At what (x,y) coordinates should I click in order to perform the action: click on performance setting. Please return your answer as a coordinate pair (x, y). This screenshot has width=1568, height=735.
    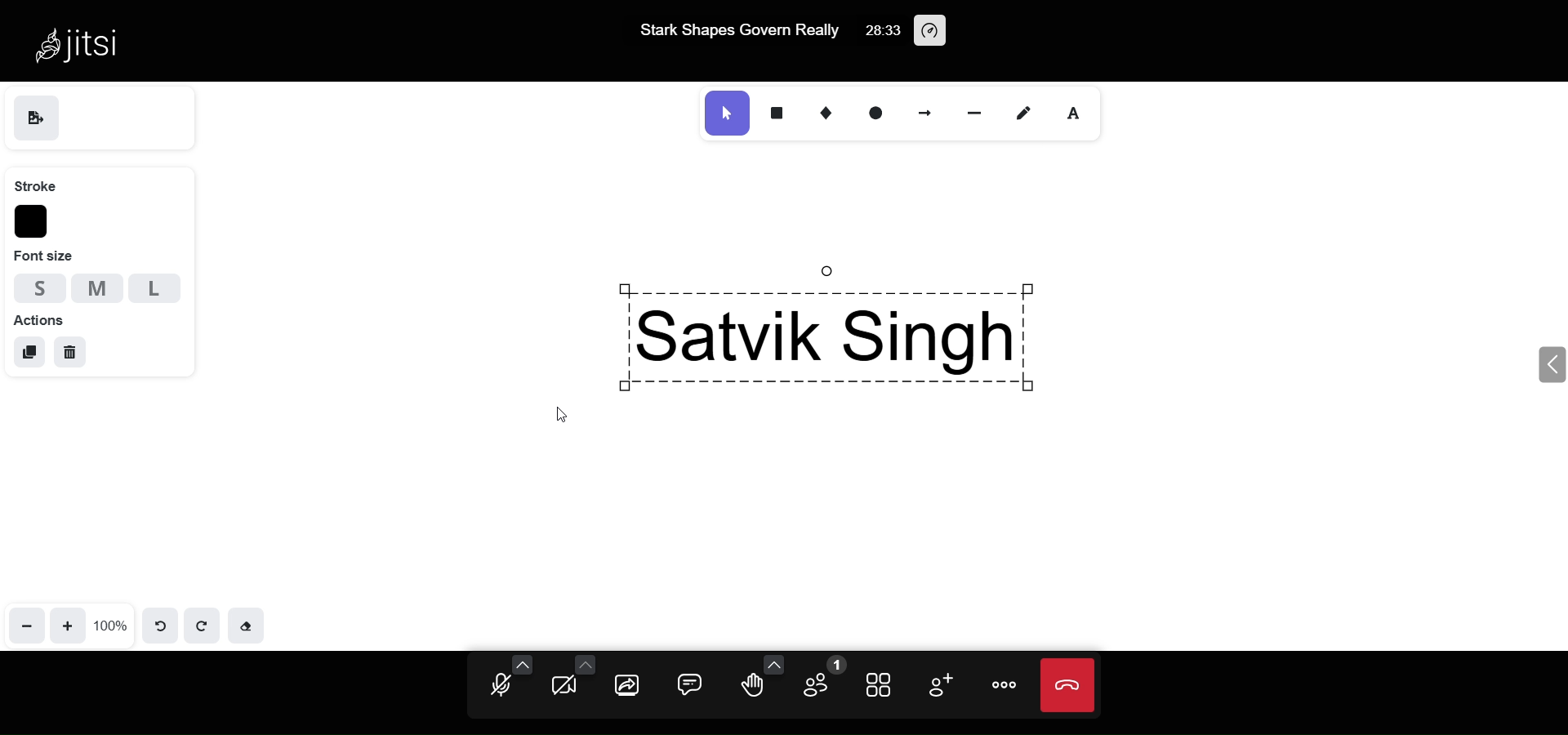
    Looking at the image, I should click on (934, 32).